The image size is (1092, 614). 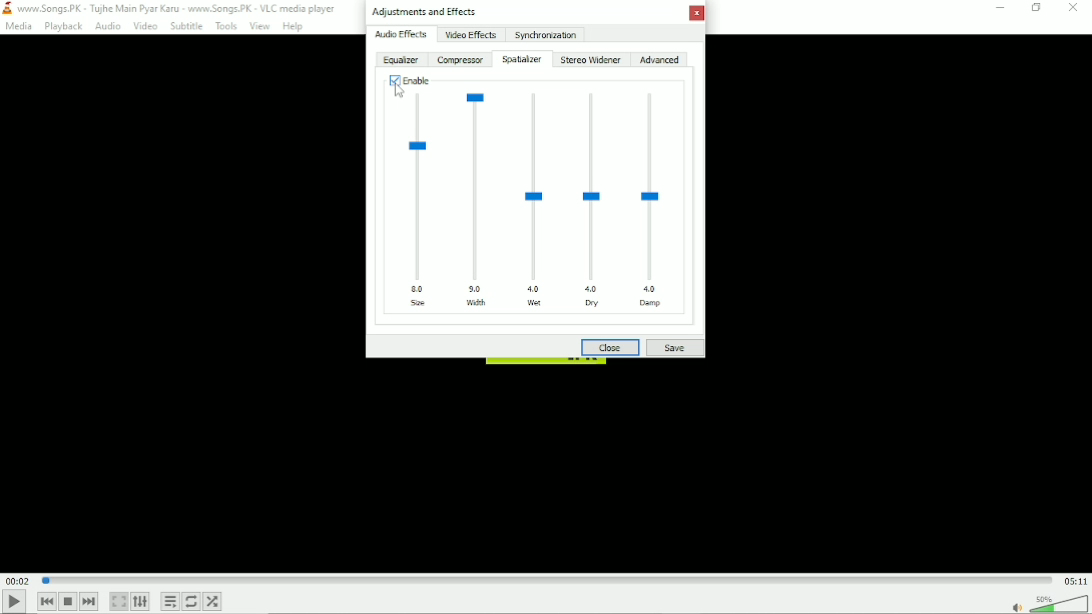 What do you see at coordinates (89, 601) in the screenshot?
I see `Next` at bounding box center [89, 601].